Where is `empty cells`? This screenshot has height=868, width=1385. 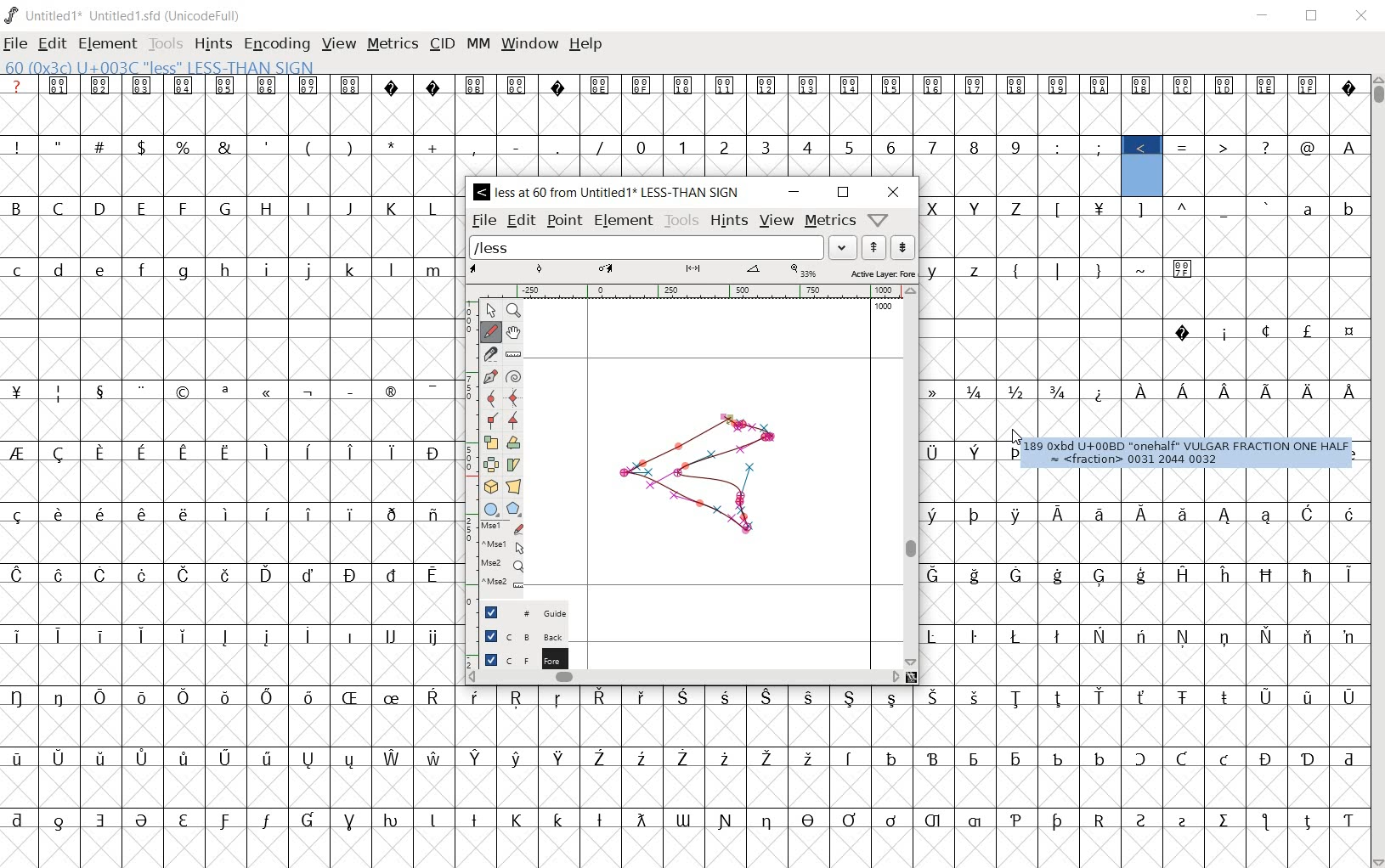
empty cells is located at coordinates (684, 786).